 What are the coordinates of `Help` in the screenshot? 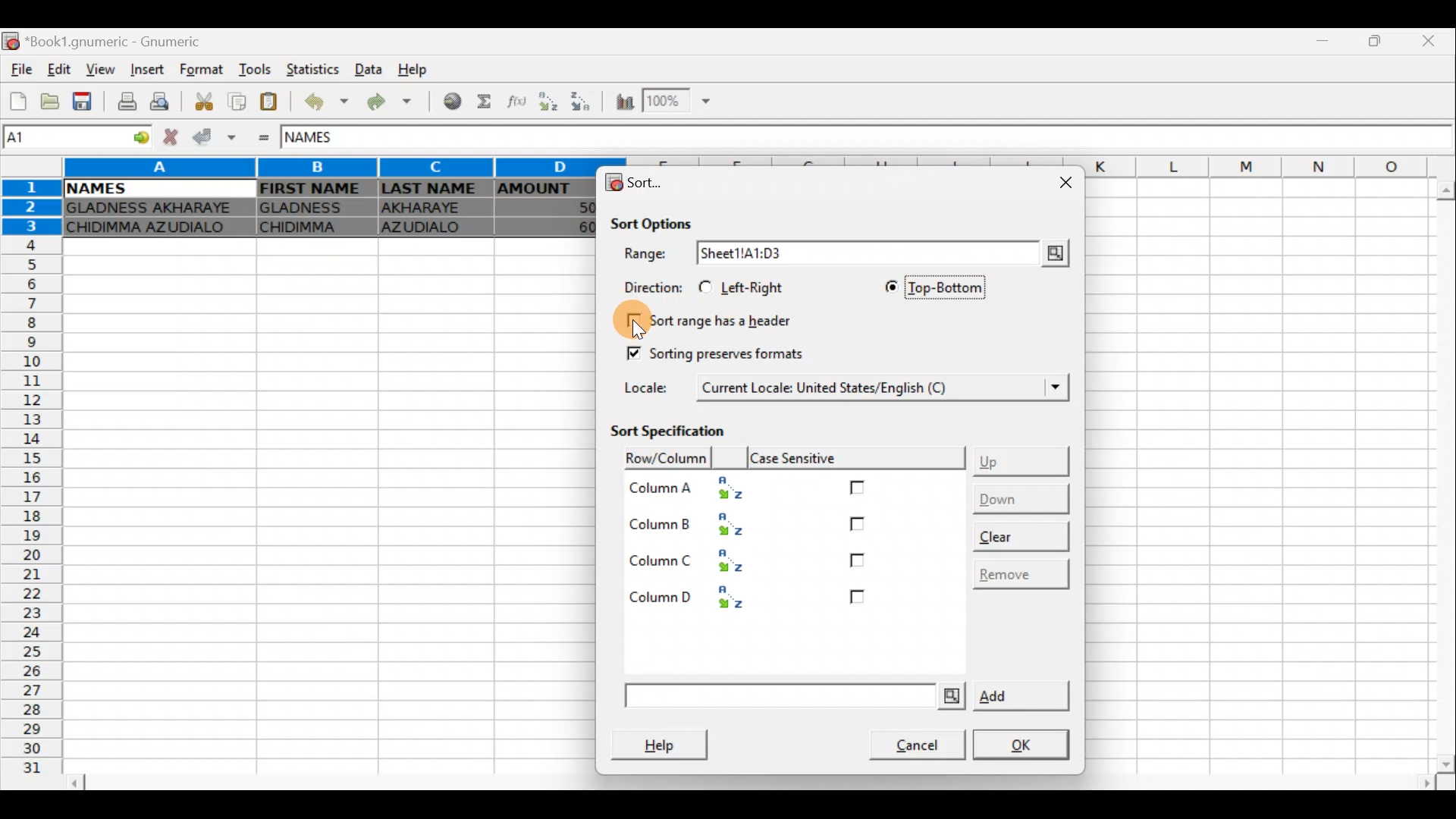 It's located at (423, 66).